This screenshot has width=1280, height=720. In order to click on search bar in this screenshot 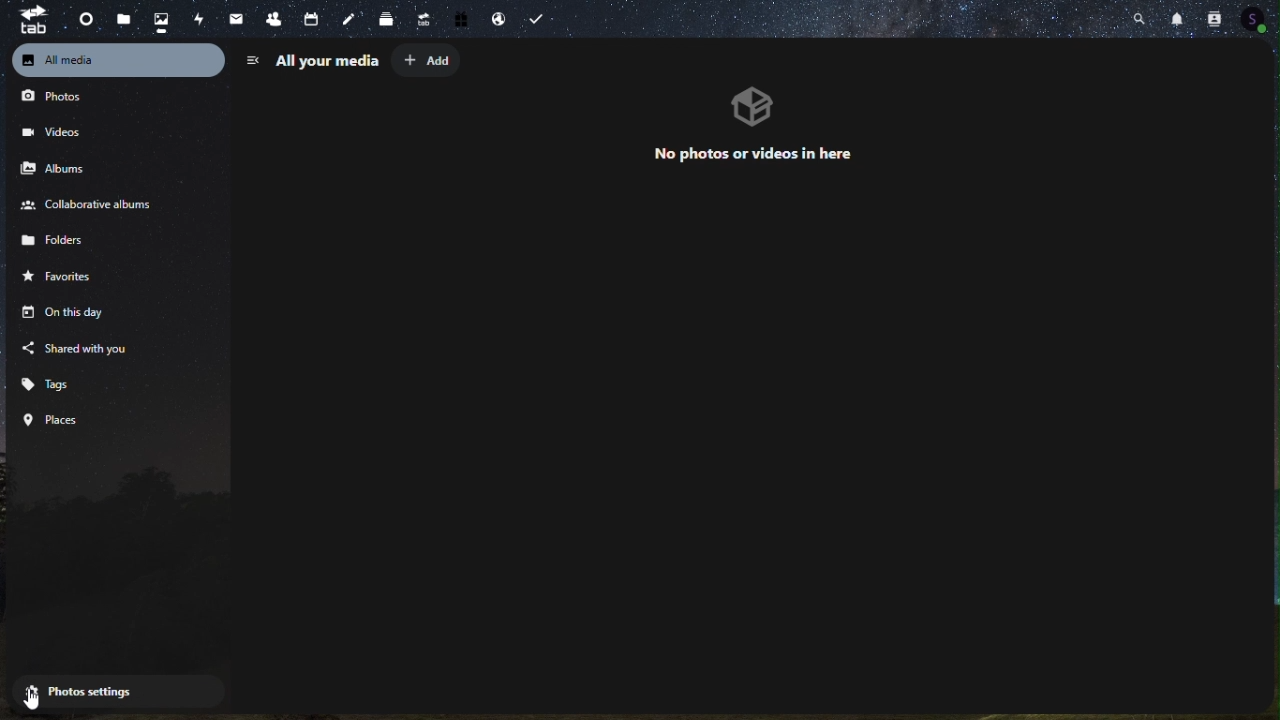, I will do `click(1143, 19)`.